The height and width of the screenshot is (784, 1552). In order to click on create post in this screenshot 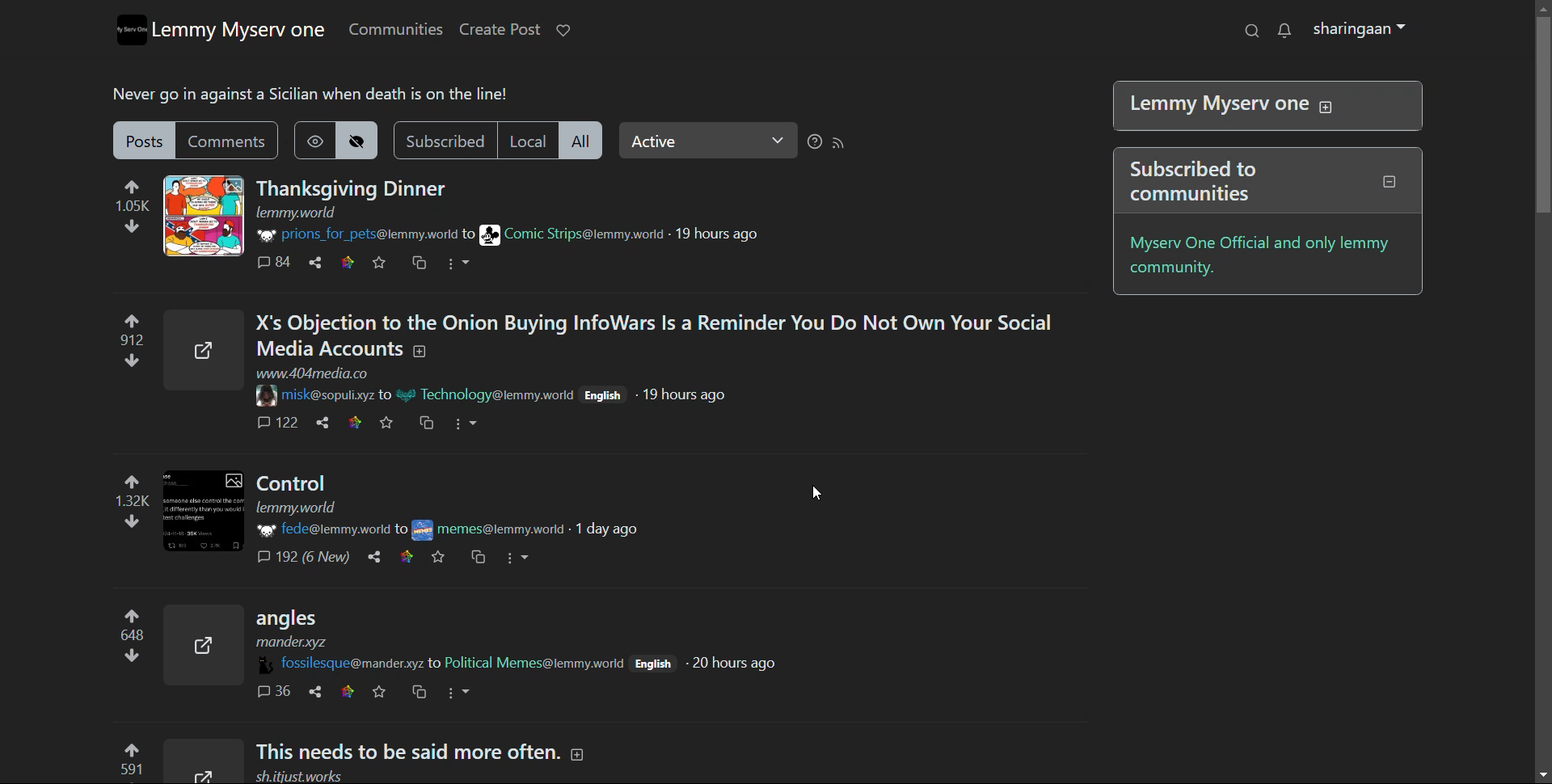, I will do `click(501, 29)`.